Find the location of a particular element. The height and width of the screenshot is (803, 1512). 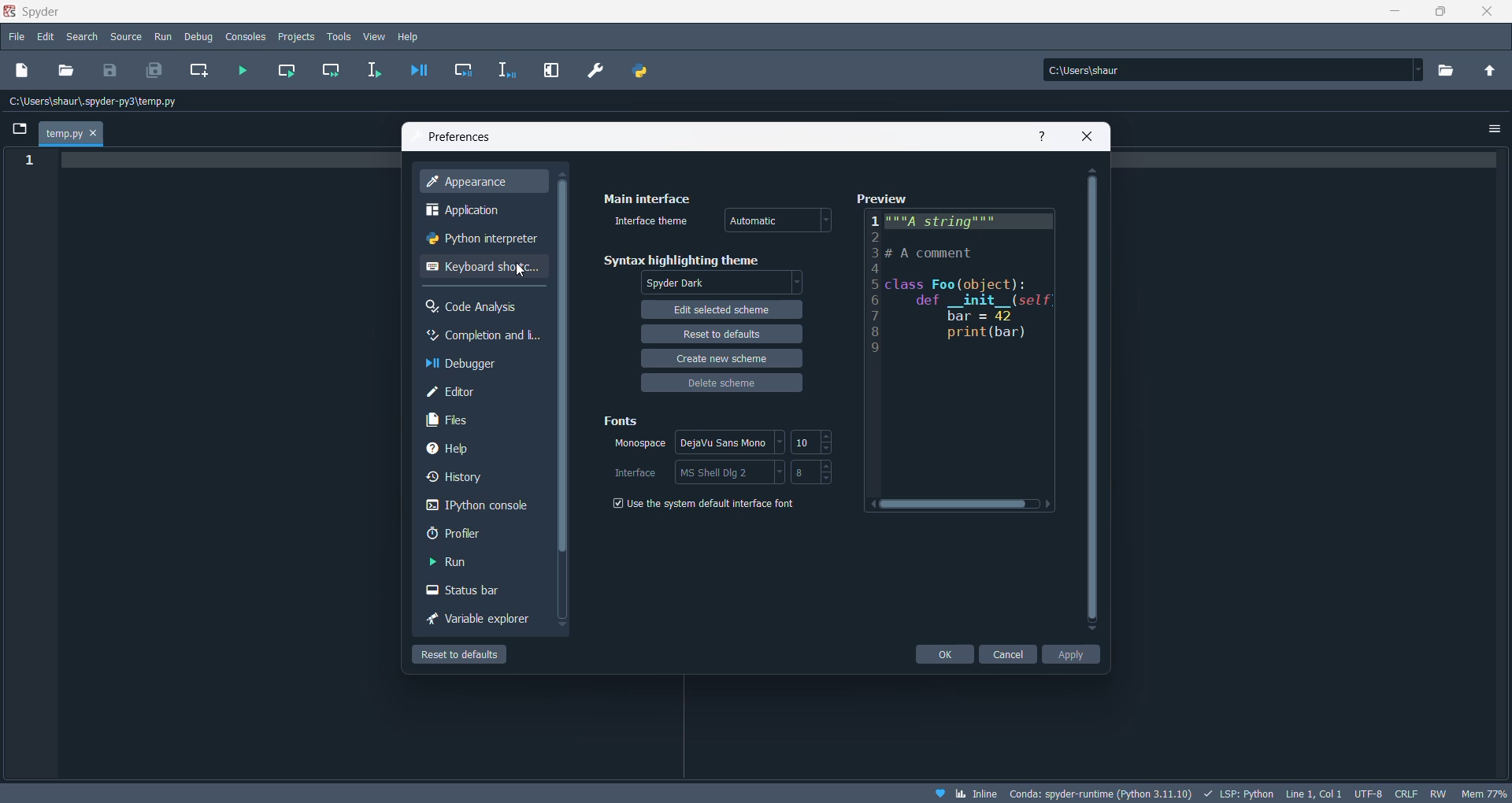

use system default checkbox is located at coordinates (716, 509).